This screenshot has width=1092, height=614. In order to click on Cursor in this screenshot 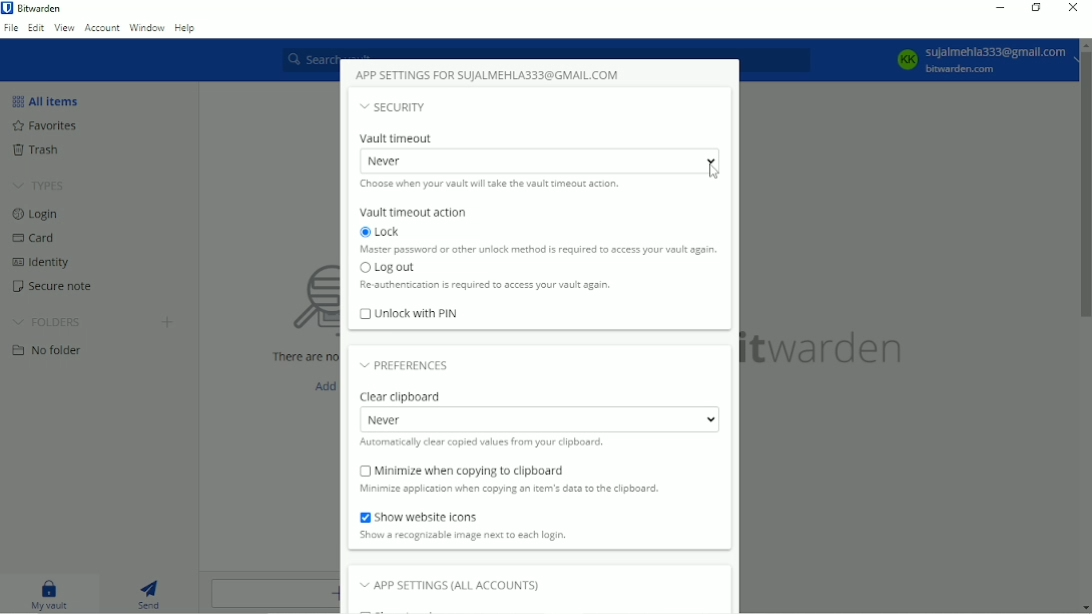, I will do `click(714, 171)`.